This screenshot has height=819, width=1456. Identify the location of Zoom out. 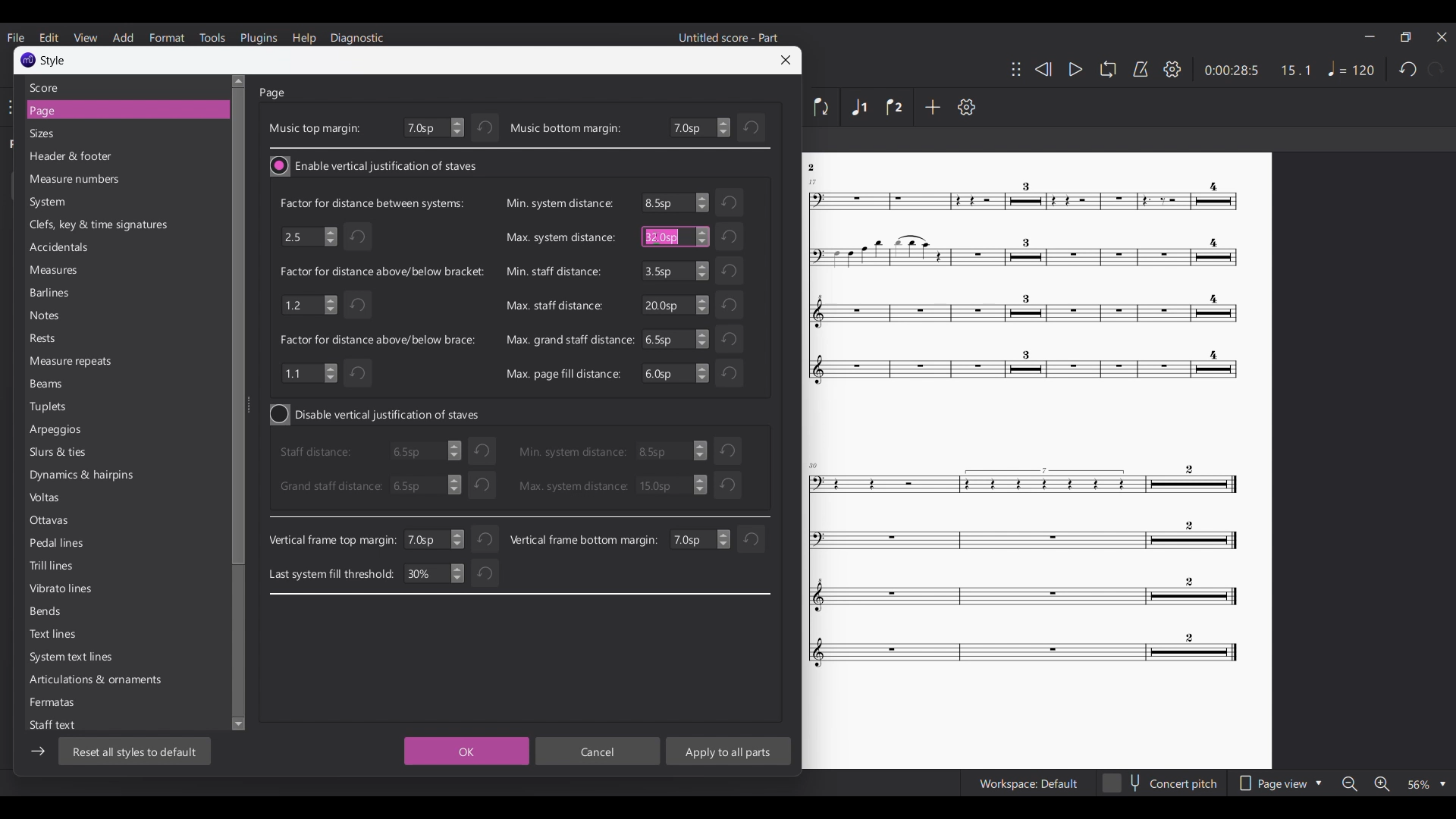
(1350, 784).